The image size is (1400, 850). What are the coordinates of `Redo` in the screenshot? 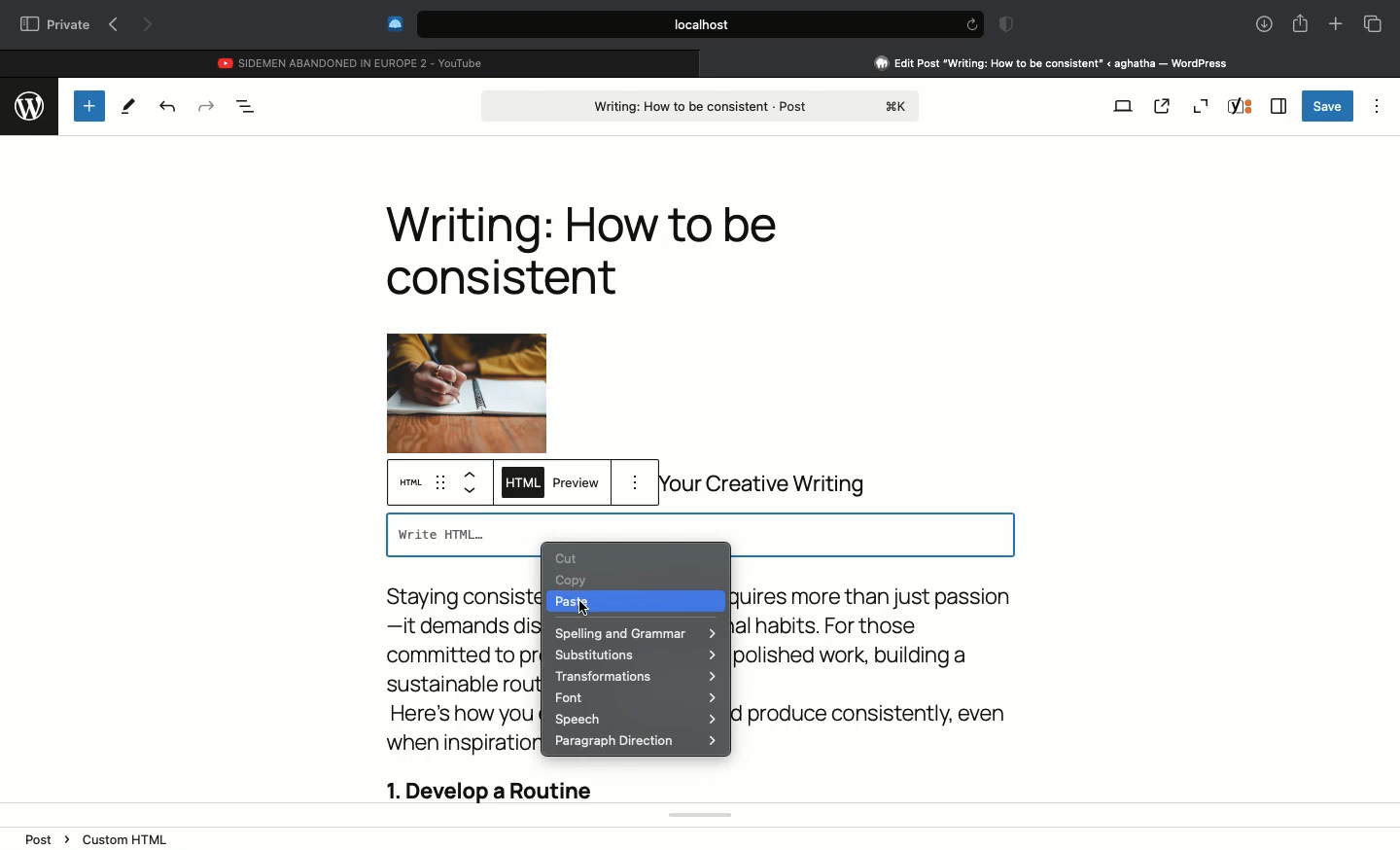 It's located at (206, 106).